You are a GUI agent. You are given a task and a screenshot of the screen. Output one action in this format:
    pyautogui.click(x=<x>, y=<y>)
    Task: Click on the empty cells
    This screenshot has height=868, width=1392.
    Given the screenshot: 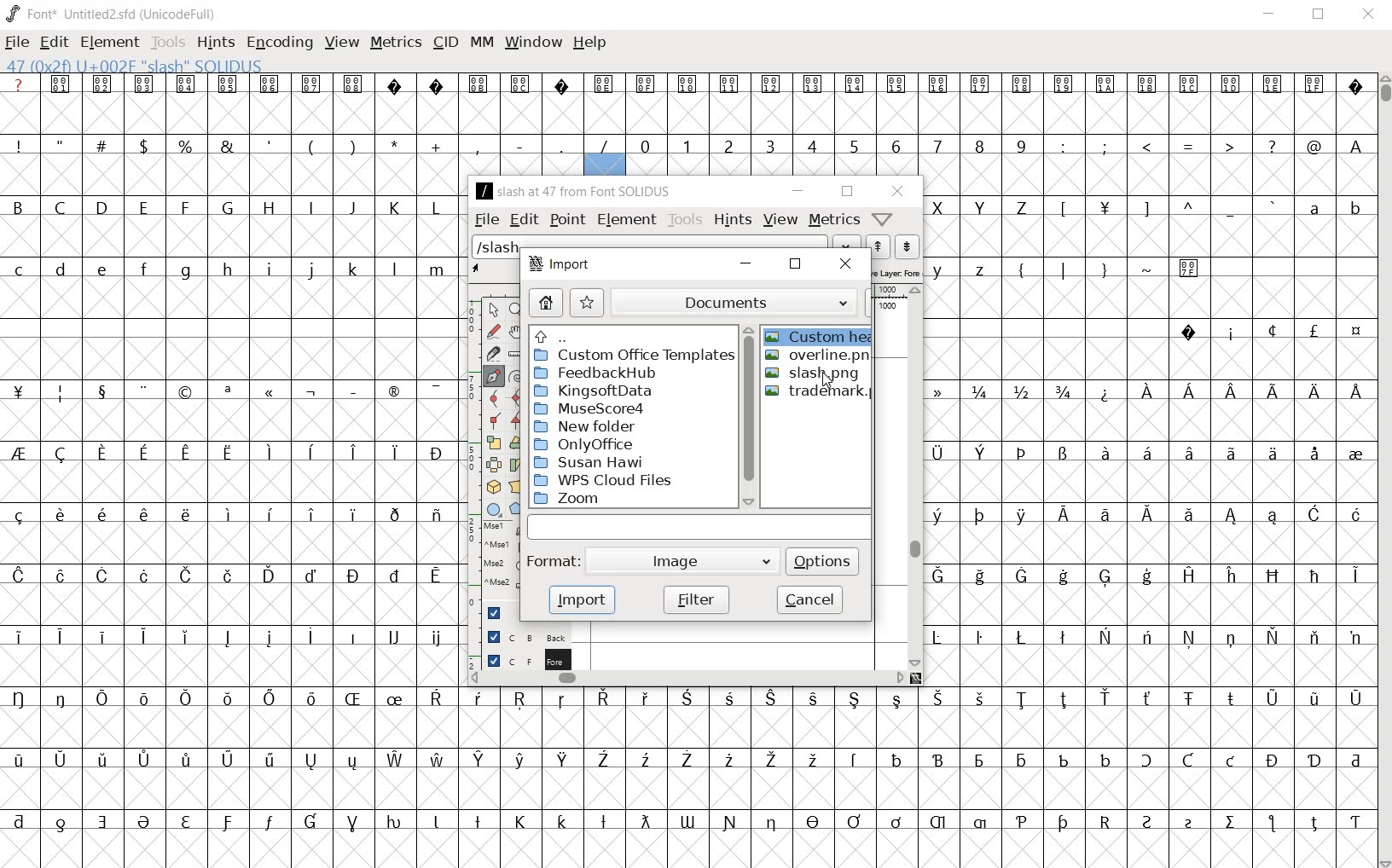 What is the action you would take?
    pyautogui.click(x=235, y=543)
    